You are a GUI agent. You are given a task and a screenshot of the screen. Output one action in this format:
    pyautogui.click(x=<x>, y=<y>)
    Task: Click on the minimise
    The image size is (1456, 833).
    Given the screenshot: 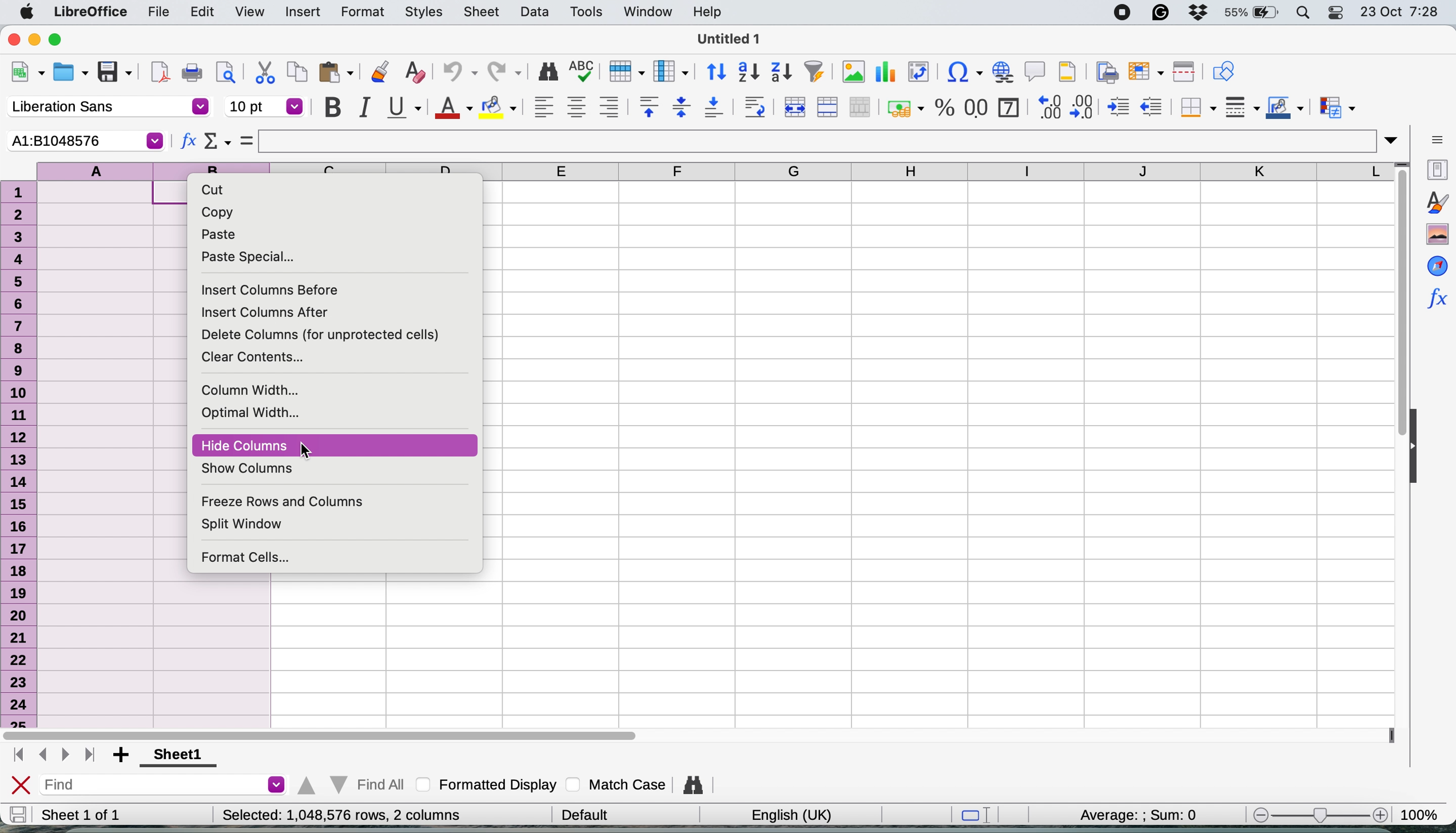 What is the action you would take?
    pyautogui.click(x=37, y=41)
    